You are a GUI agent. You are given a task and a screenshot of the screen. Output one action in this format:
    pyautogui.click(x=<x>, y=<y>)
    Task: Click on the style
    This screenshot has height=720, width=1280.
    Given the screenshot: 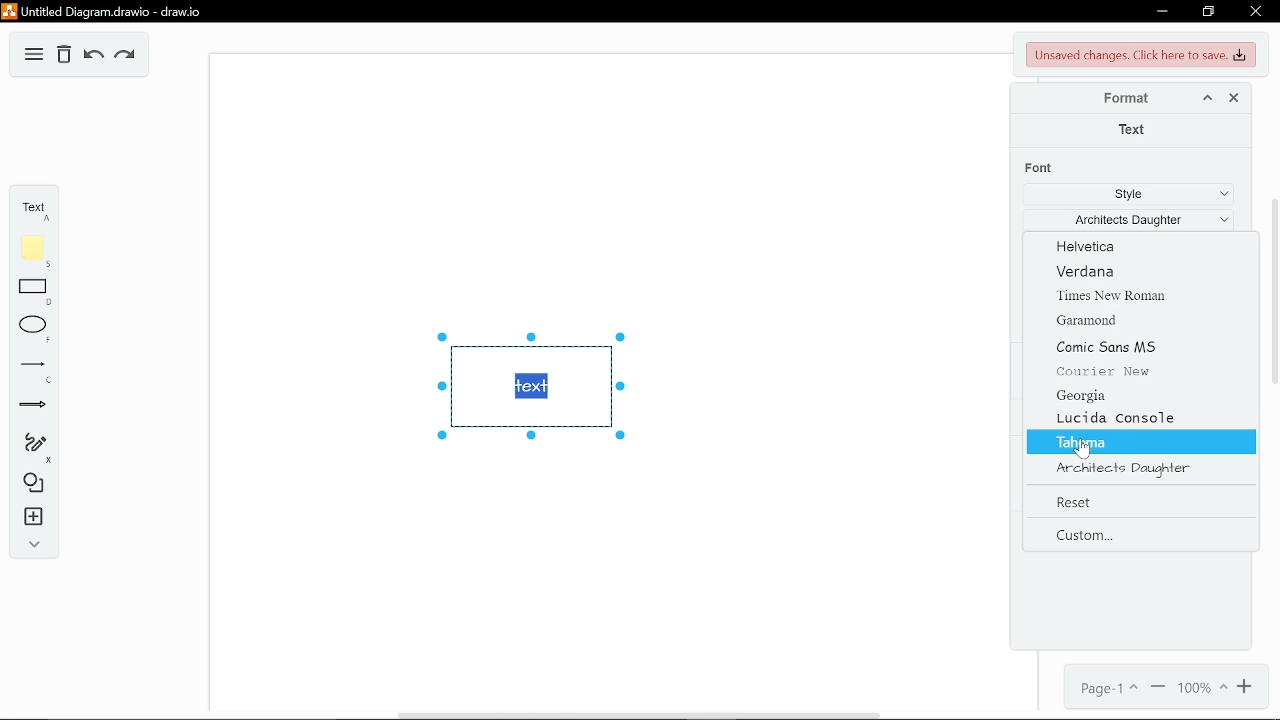 What is the action you would take?
    pyautogui.click(x=1123, y=195)
    